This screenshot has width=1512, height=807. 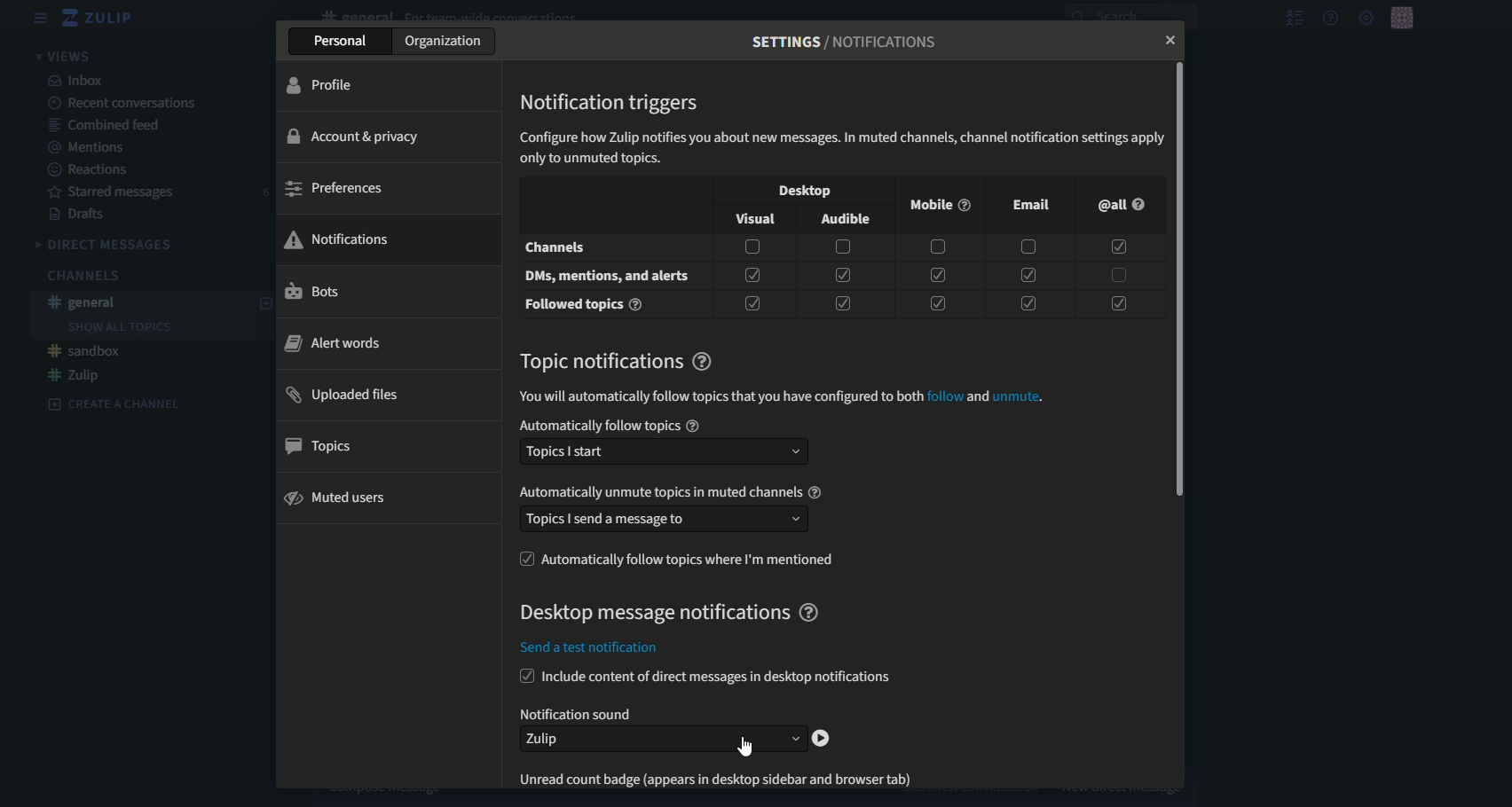 What do you see at coordinates (801, 192) in the screenshot?
I see `desktop` at bounding box center [801, 192].